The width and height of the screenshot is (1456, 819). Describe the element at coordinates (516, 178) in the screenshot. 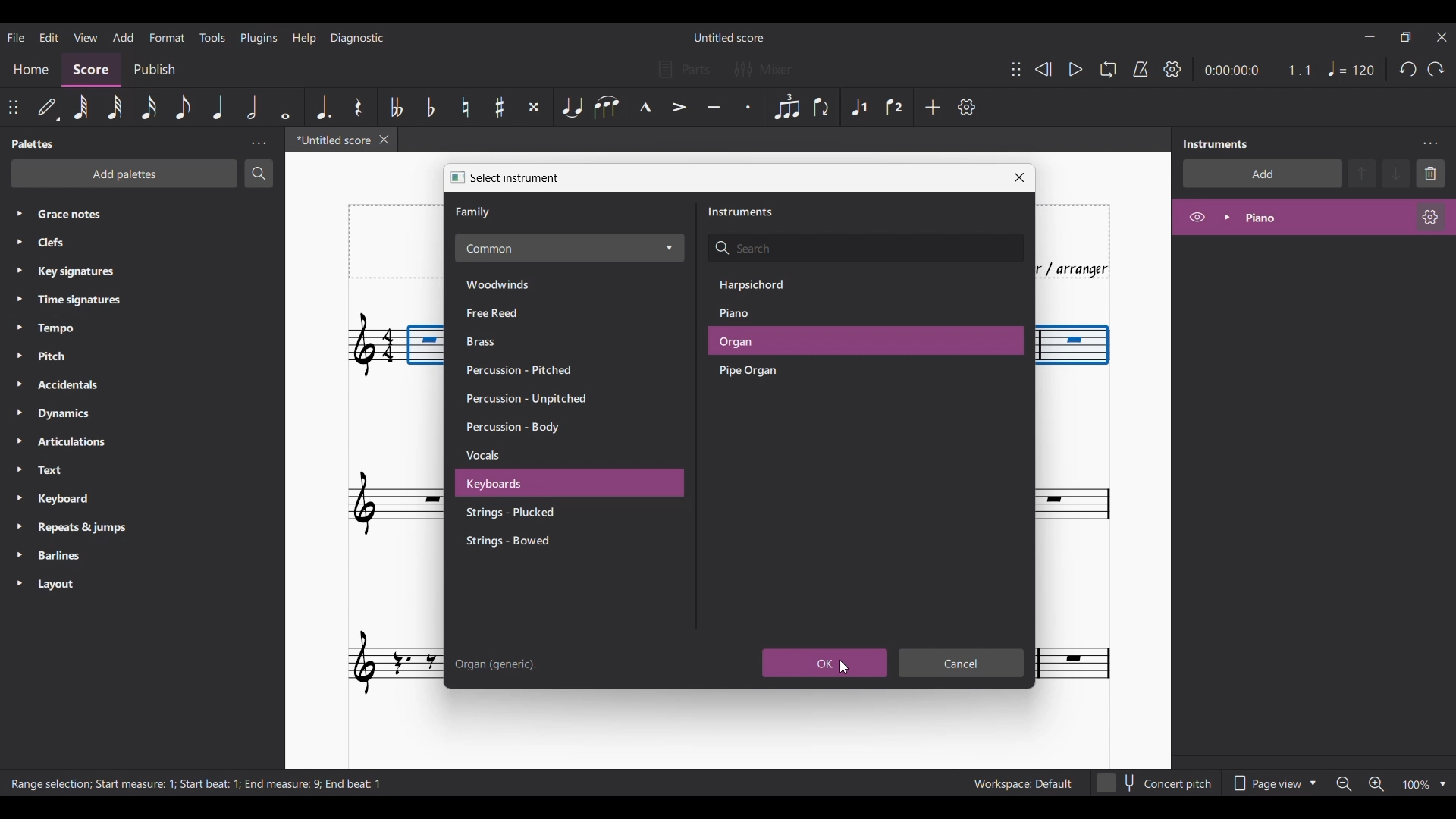

I see `Window name` at that location.